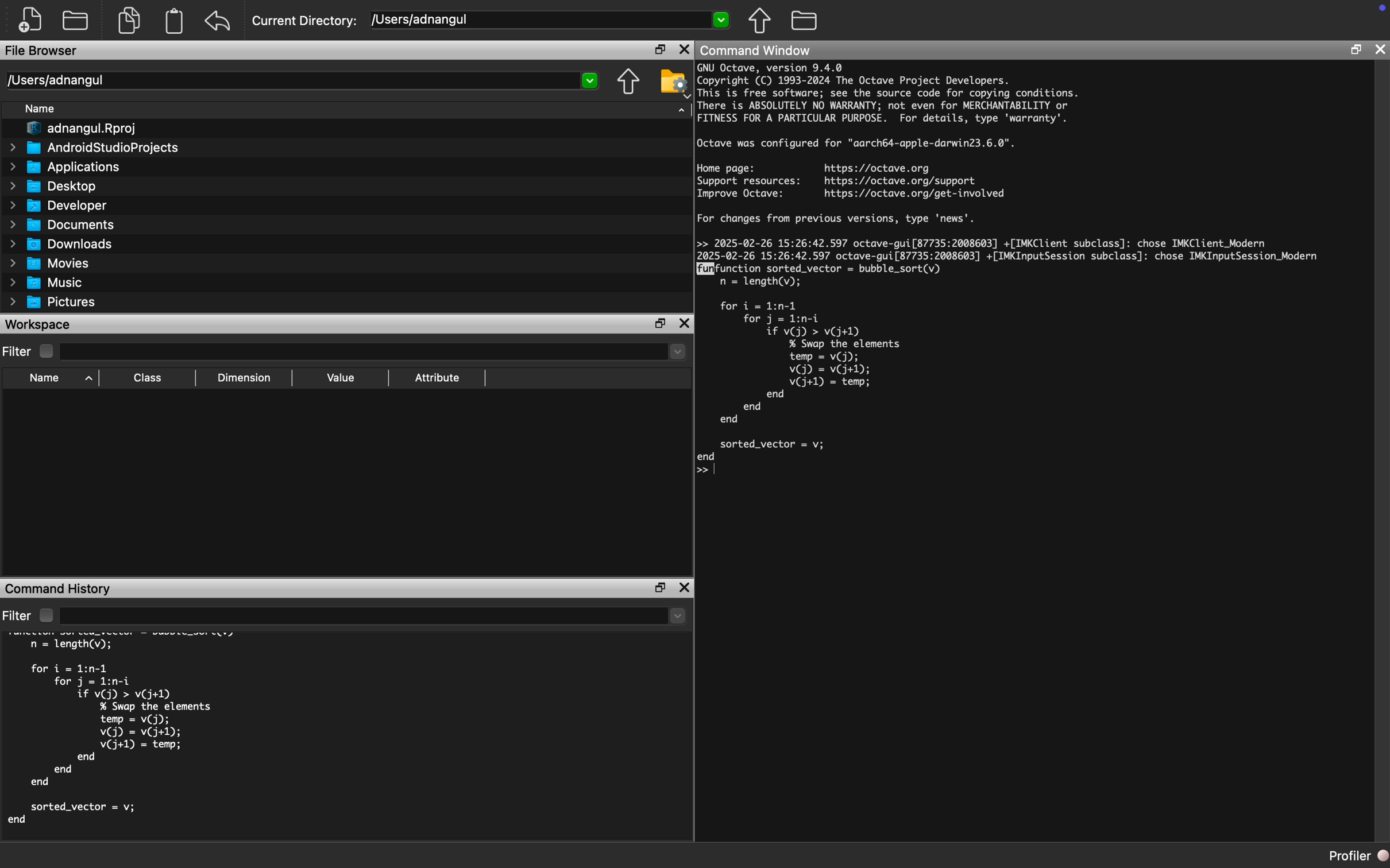  Describe the element at coordinates (339, 378) in the screenshot. I see `Value` at that location.